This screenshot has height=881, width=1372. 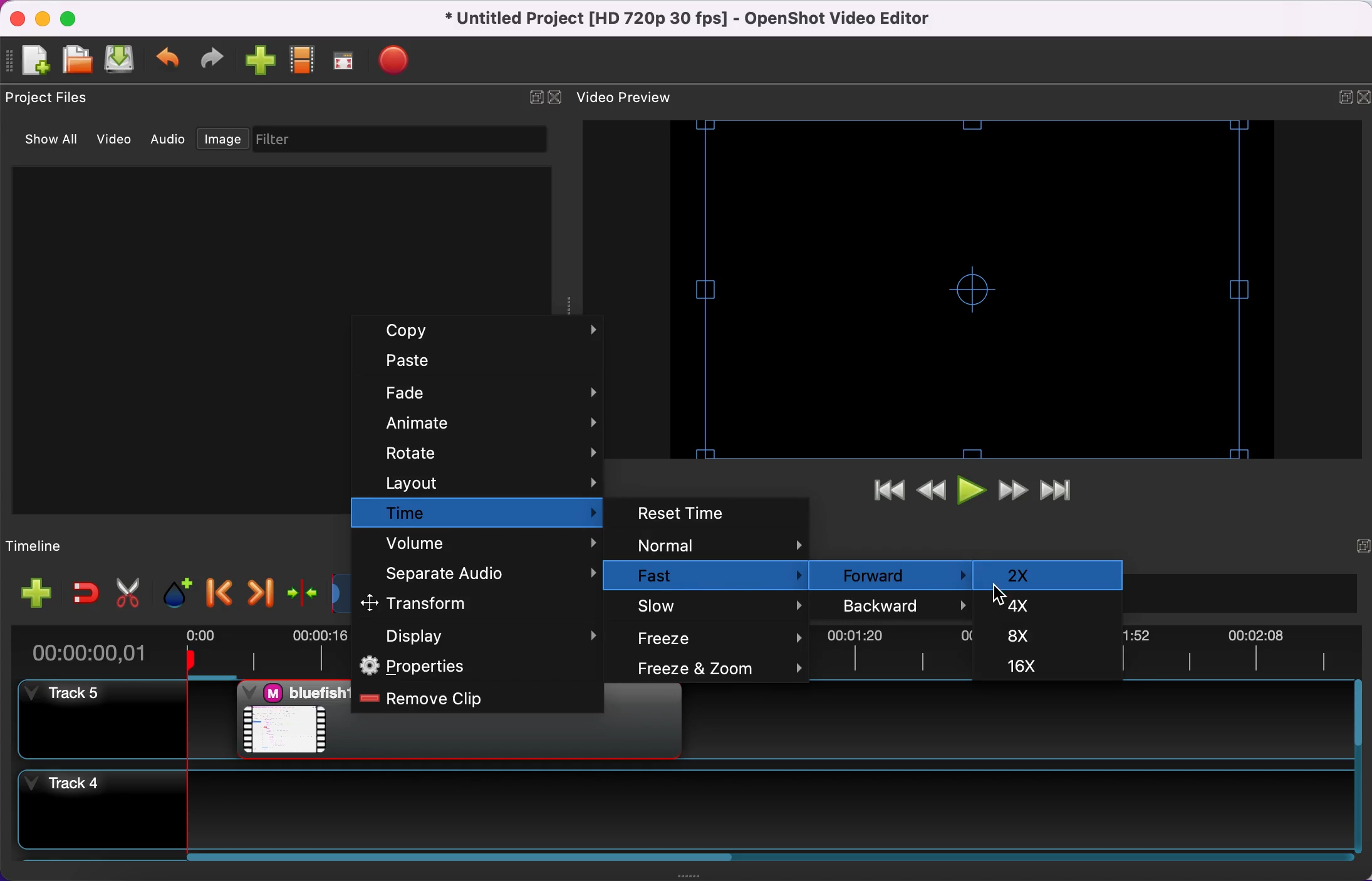 What do you see at coordinates (75, 18) in the screenshot?
I see `maximize` at bounding box center [75, 18].